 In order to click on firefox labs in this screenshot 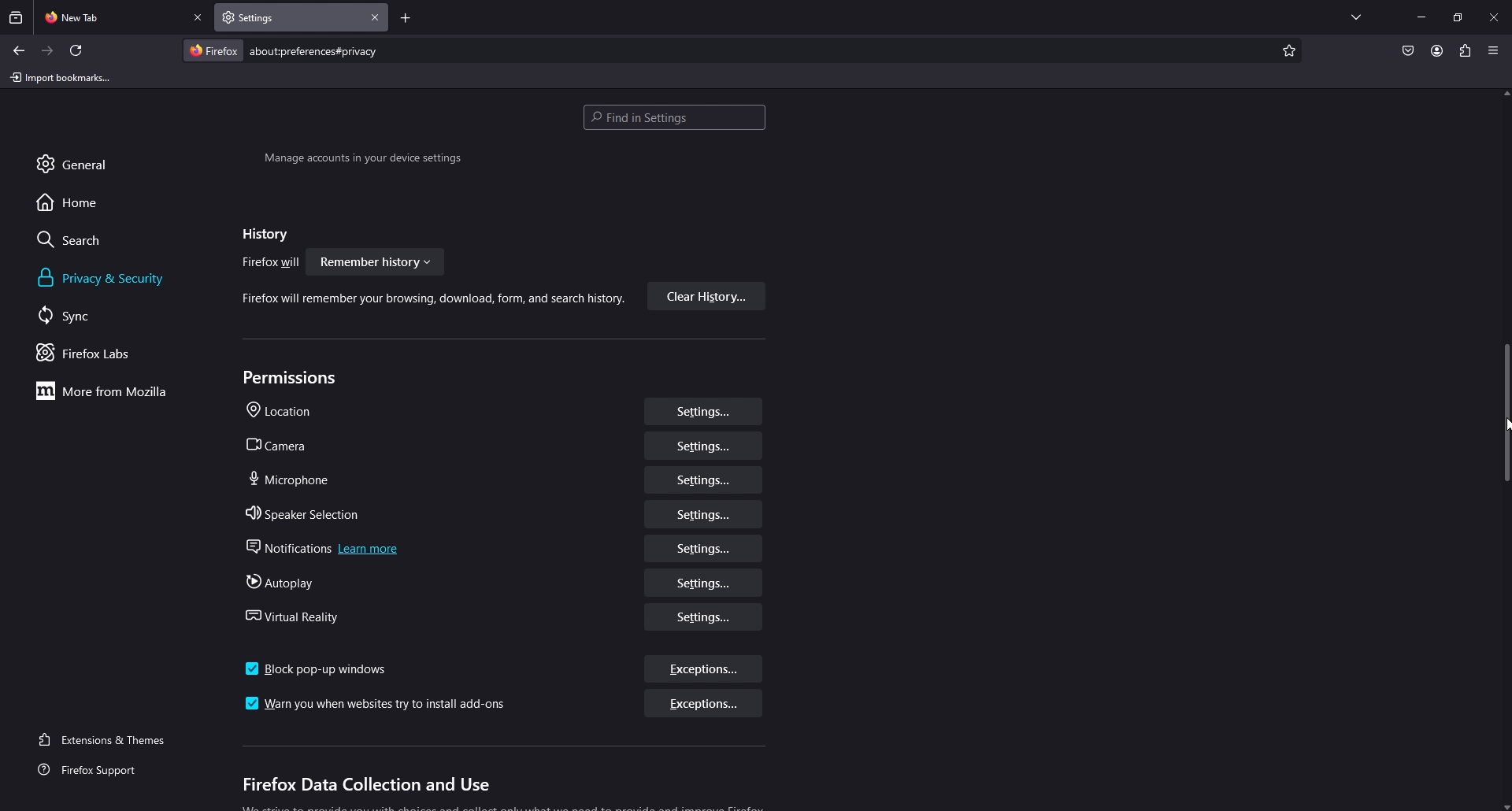, I will do `click(106, 353)`.